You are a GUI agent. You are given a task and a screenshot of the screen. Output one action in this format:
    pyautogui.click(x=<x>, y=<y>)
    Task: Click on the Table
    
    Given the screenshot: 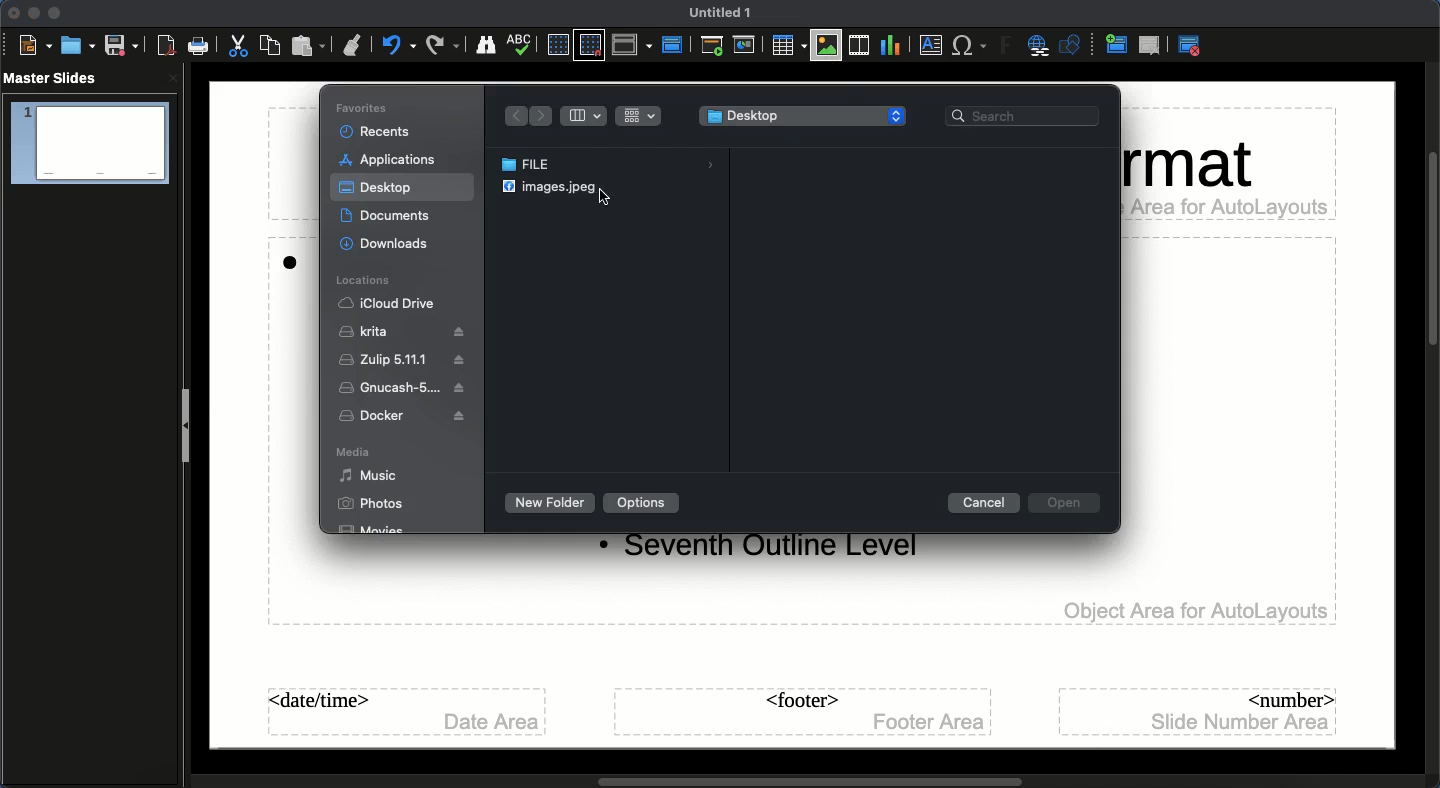 What is the action you would take?
    pyautogui.click(x=789, y=46)
    